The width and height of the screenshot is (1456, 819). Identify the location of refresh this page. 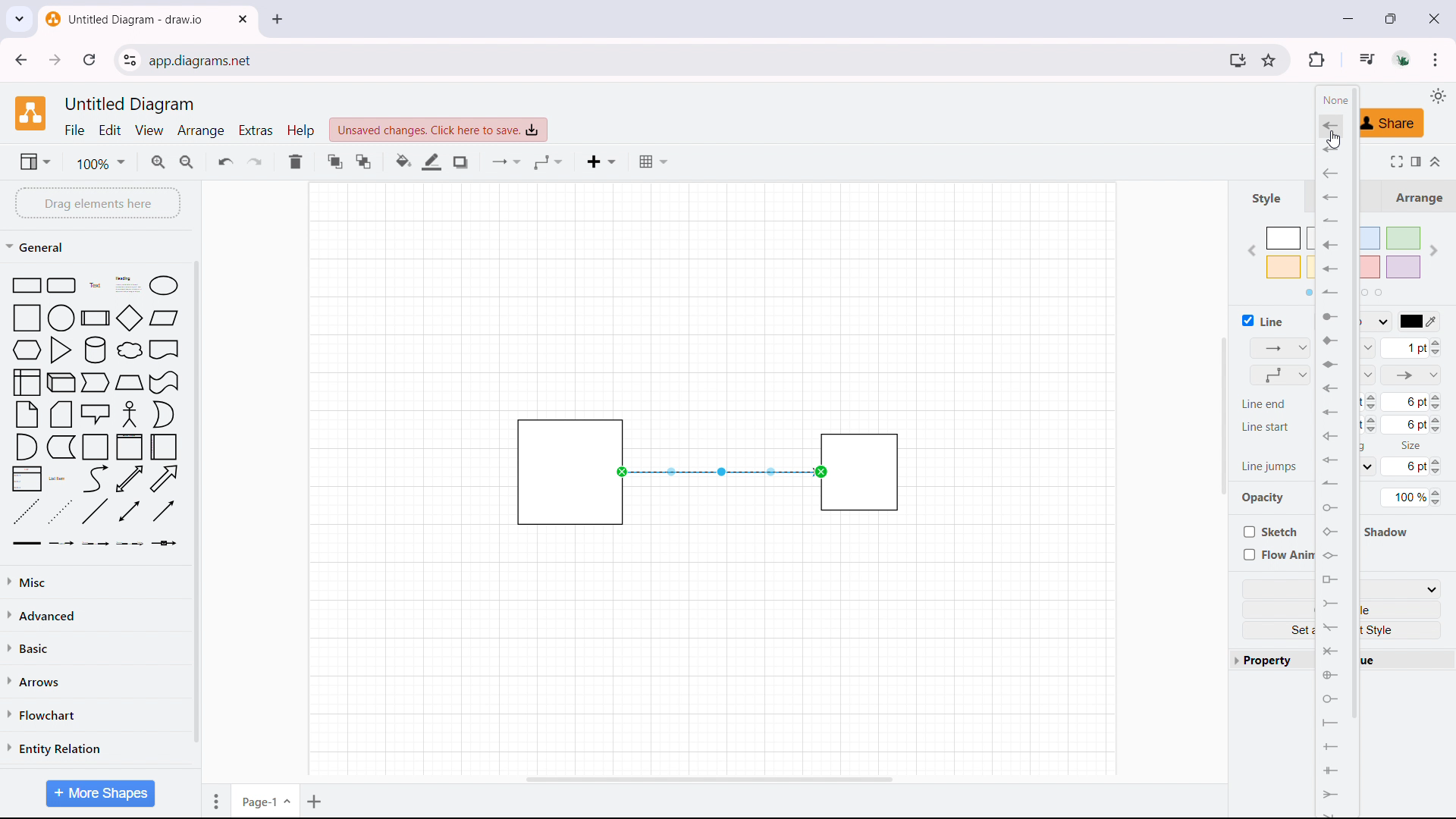
(90, 59).